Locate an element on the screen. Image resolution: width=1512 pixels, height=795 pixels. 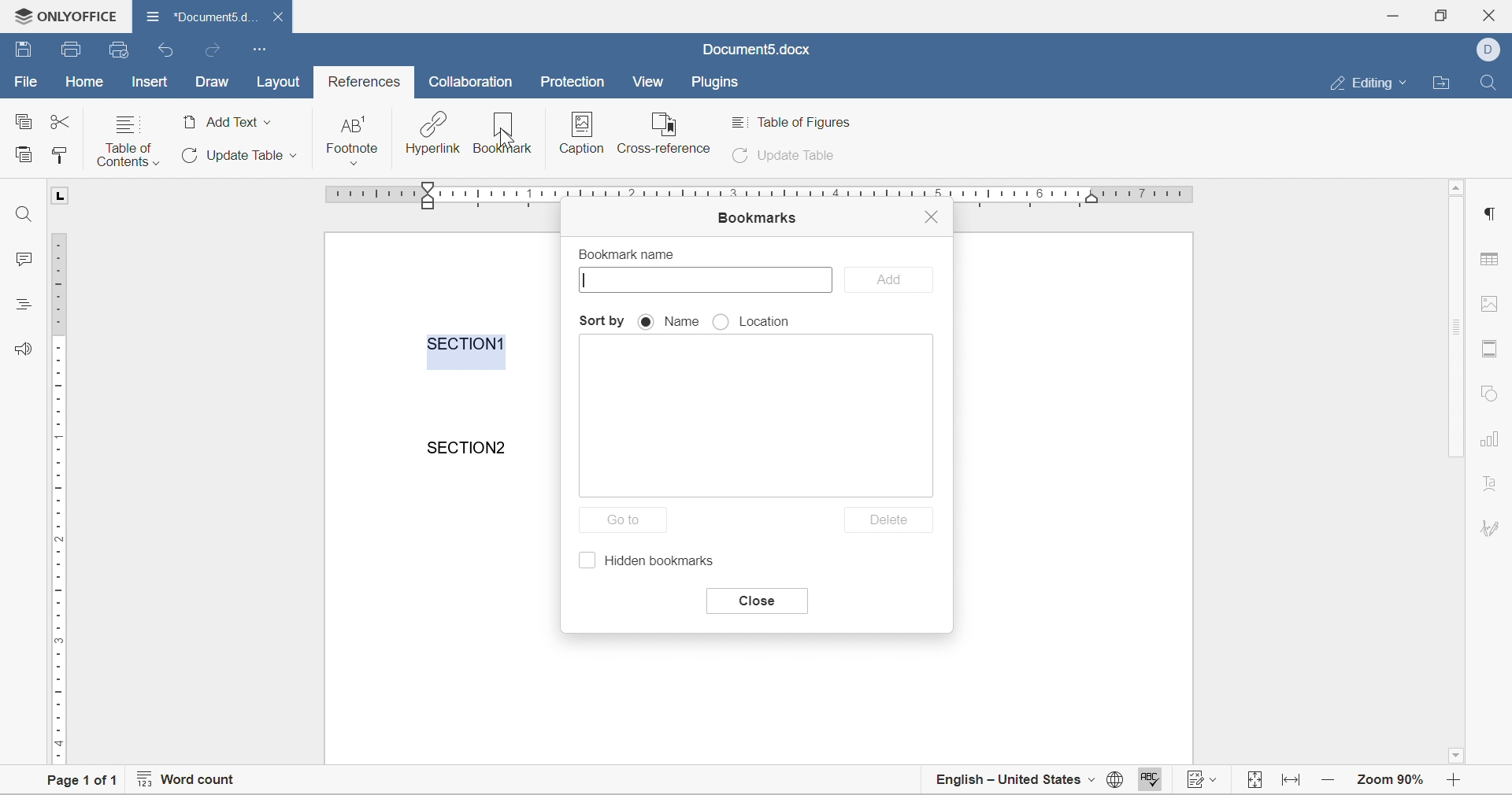
name is located at coordinates (681, 321).